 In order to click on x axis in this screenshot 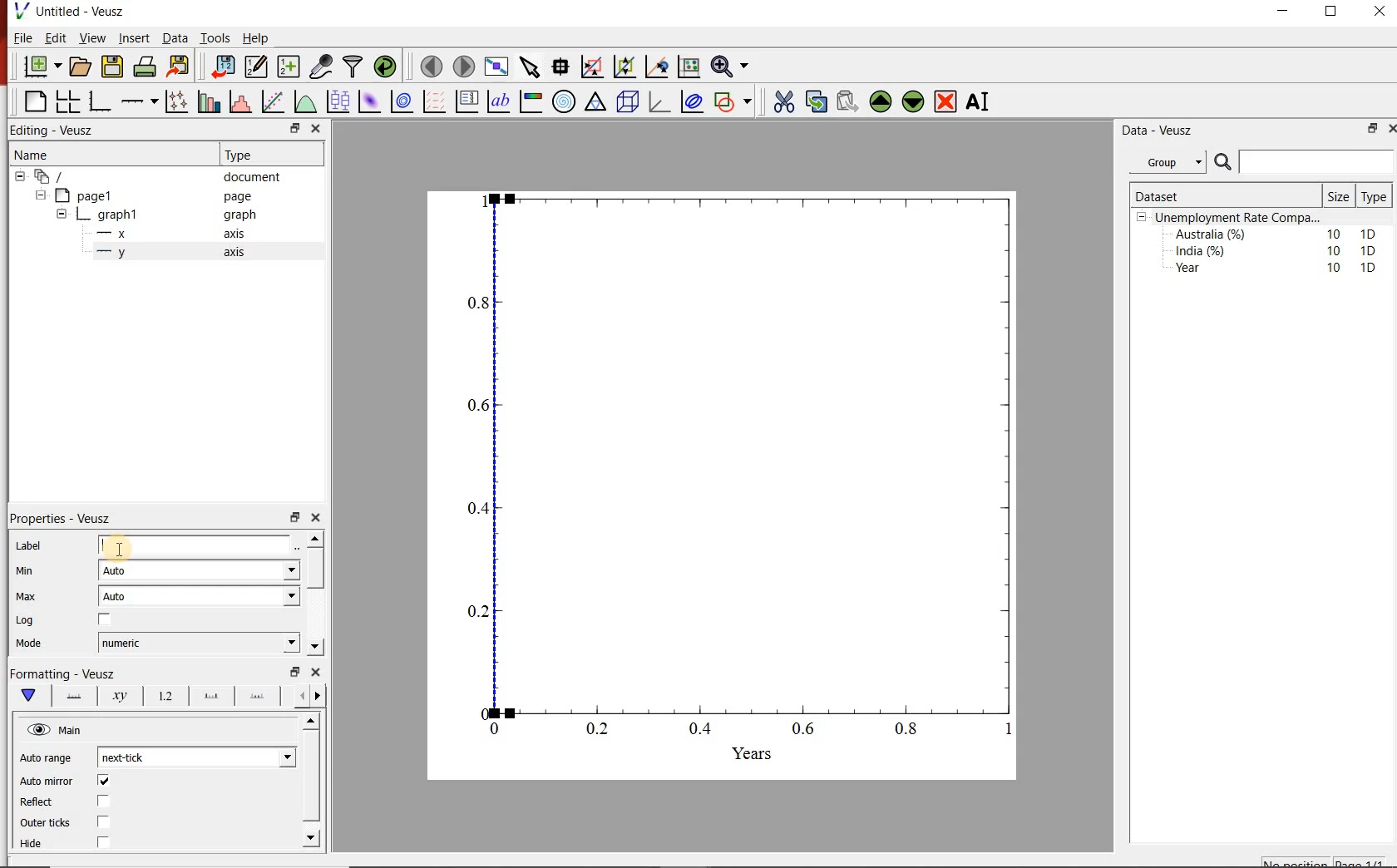, I will do `click(178, 233)`.